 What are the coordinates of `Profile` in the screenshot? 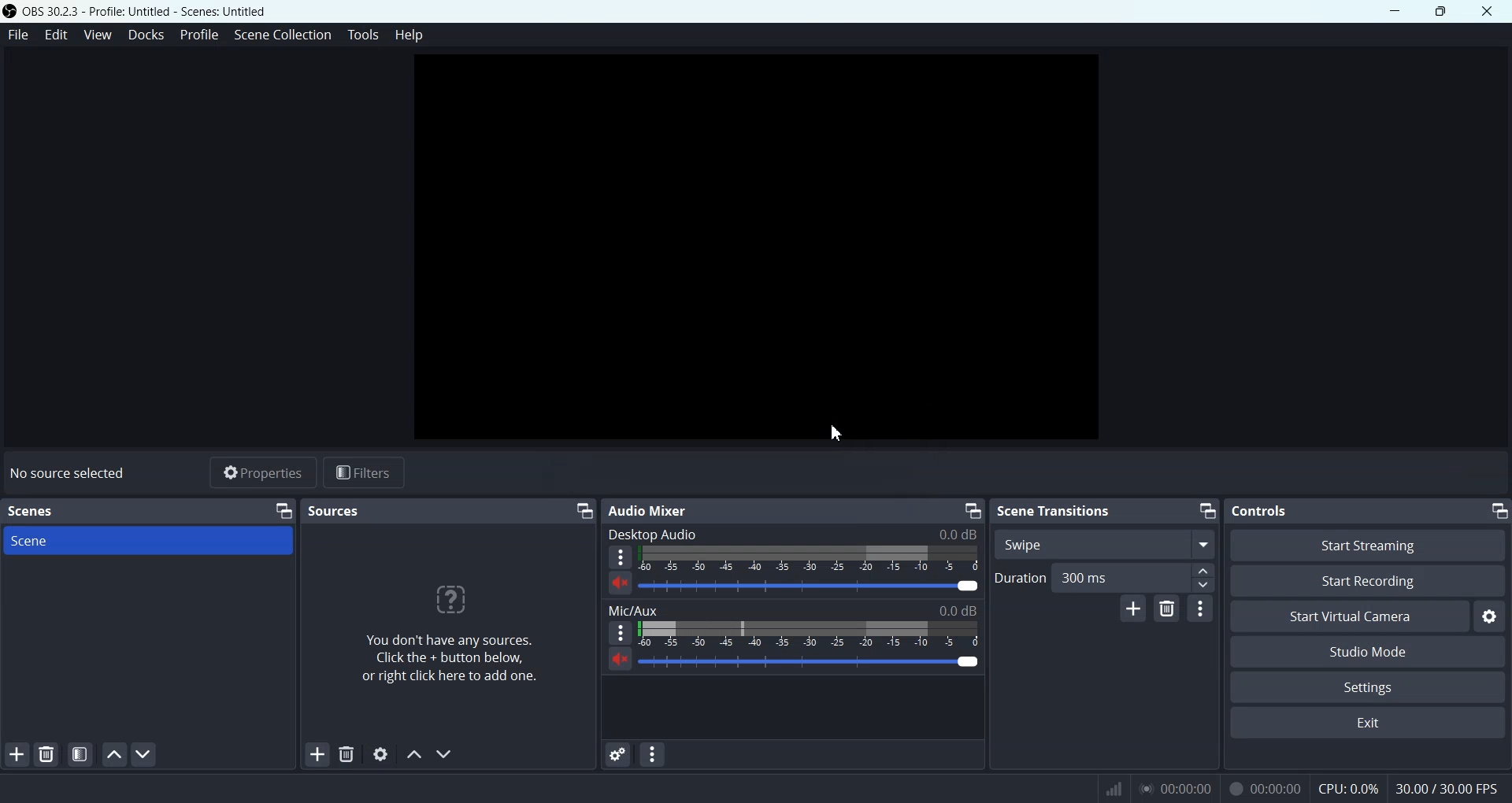 It's located at (199, 35).